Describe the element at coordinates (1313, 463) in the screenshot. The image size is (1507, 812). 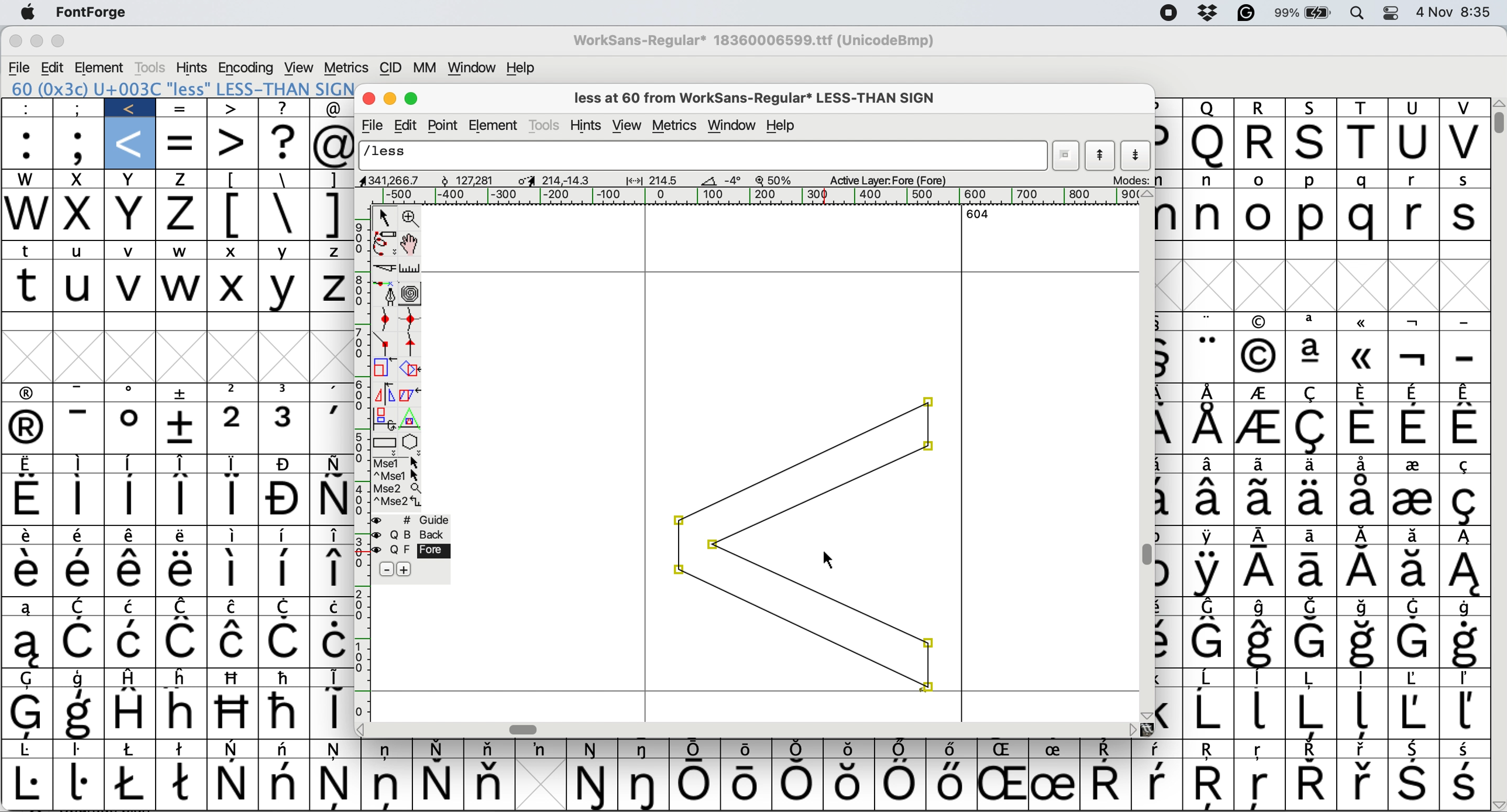
I see `Symbol` at that location.